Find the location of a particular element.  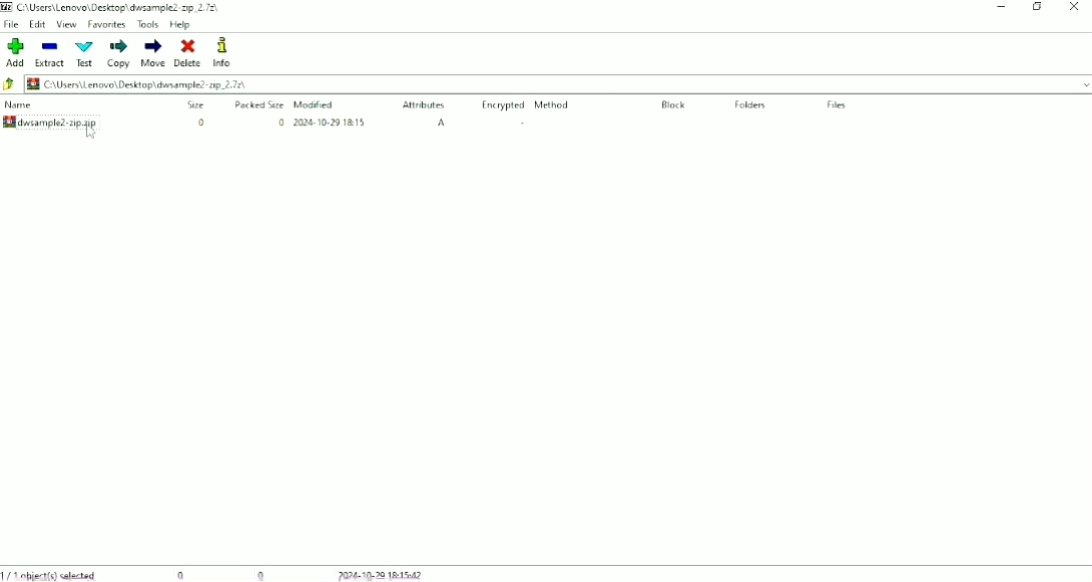

Restore Down is located at coordinates (1039, 7).